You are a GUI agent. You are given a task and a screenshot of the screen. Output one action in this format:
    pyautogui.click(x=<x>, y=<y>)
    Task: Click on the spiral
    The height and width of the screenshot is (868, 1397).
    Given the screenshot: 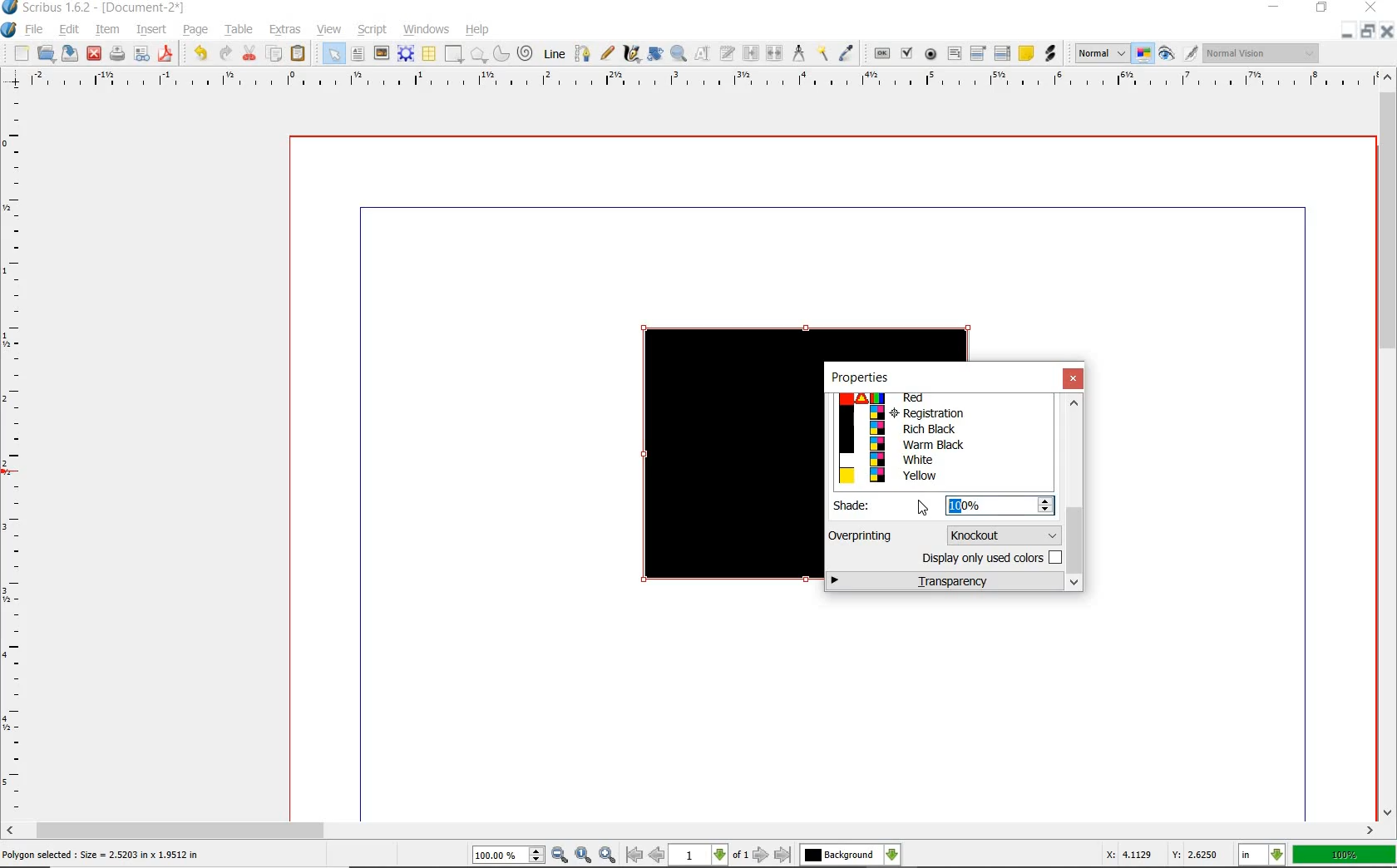 What is the action you would take?
    pyautogui.click(x=527, y=55)
    